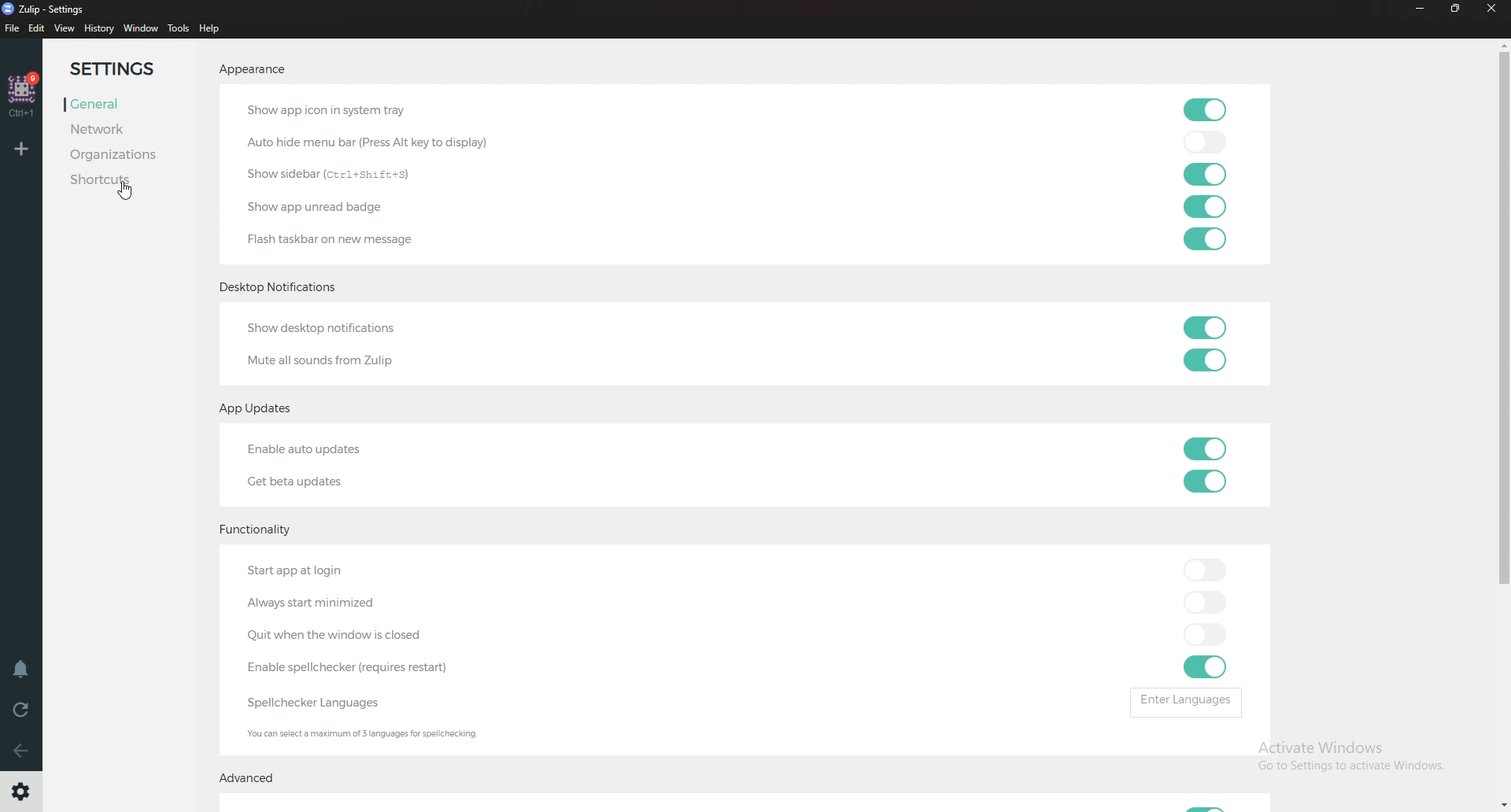 Image resolution: width=1511 pixels, height=812 pixels. Describe the element at coordinates (1203, 604) in the screenshot. I see `toggle` at that location.